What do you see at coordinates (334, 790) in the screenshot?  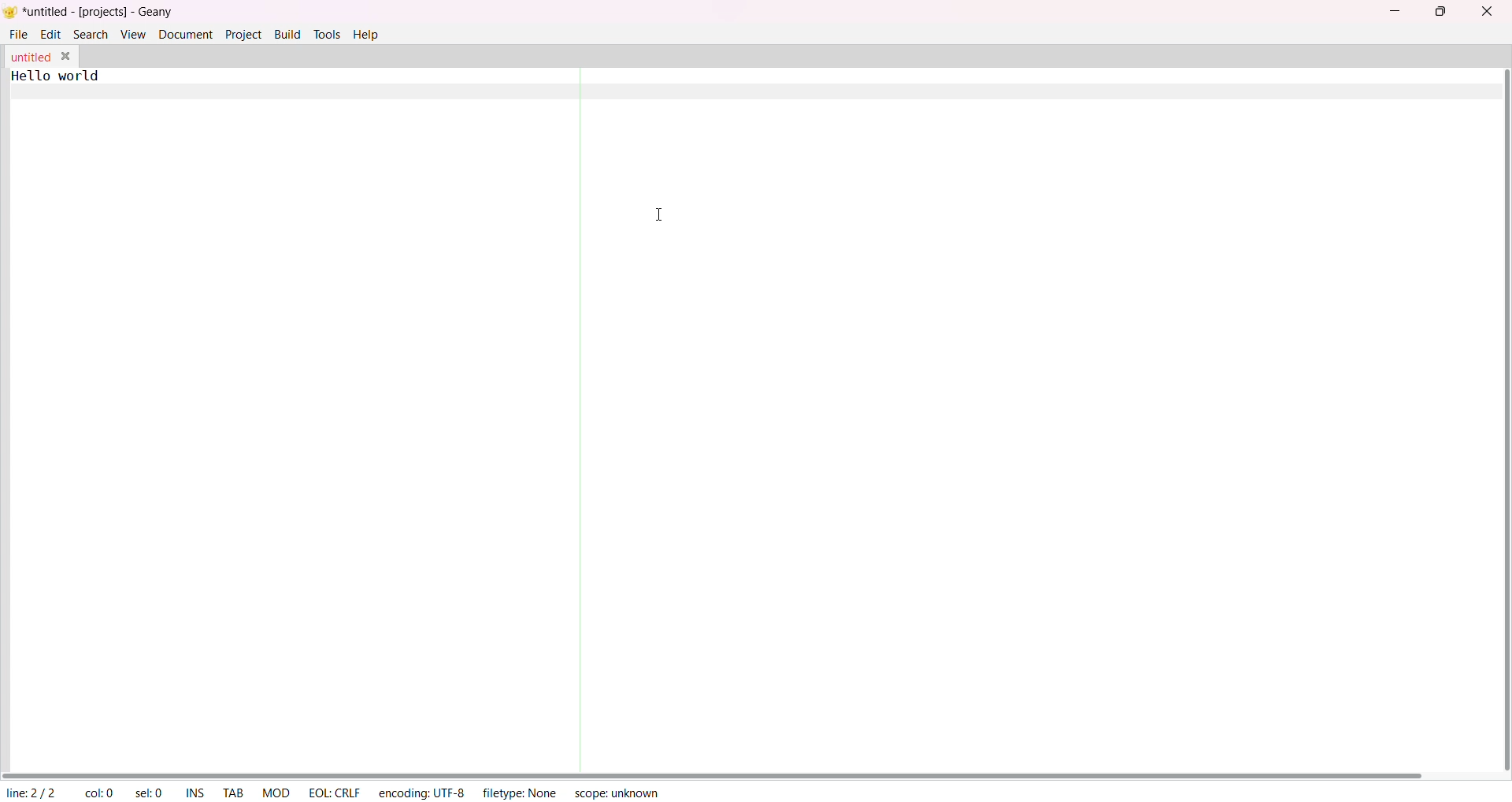 I see `EOL: CRLF` at bounding box center [334, 790].